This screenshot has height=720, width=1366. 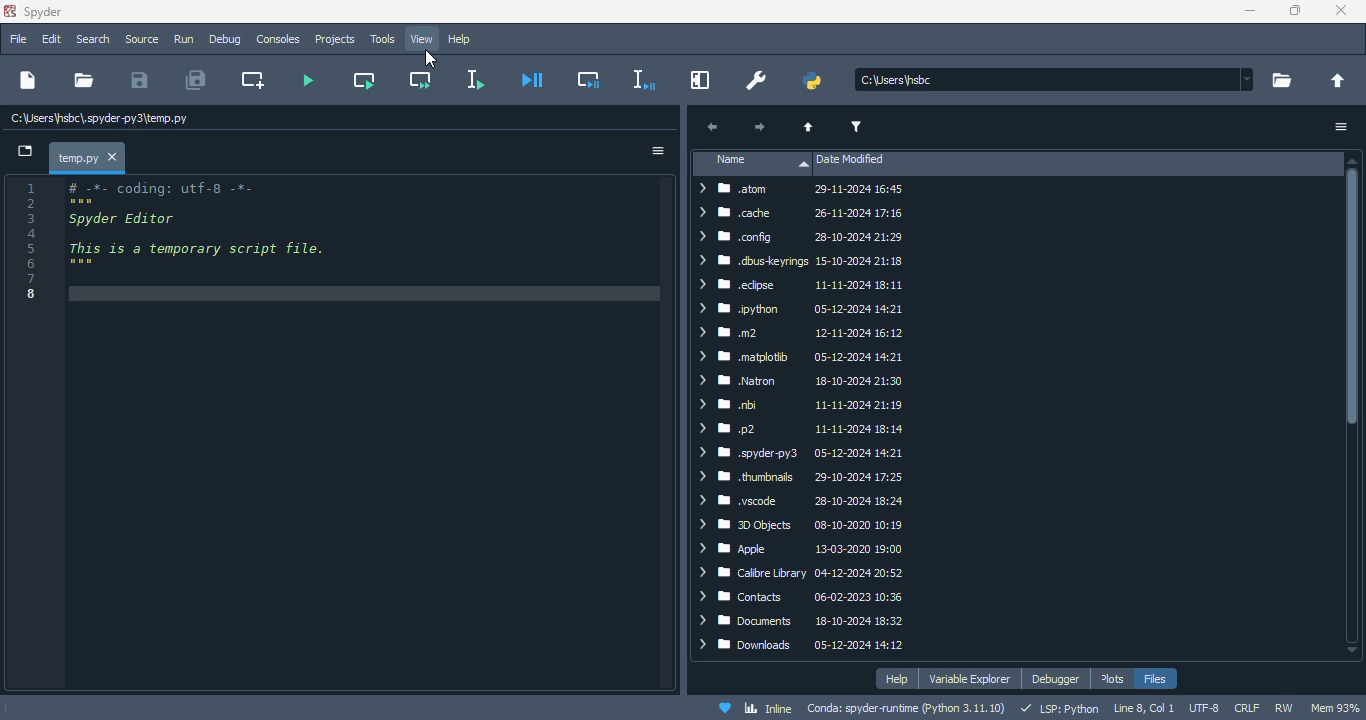 I want to click on temporary file, so click(x=99, y=118).